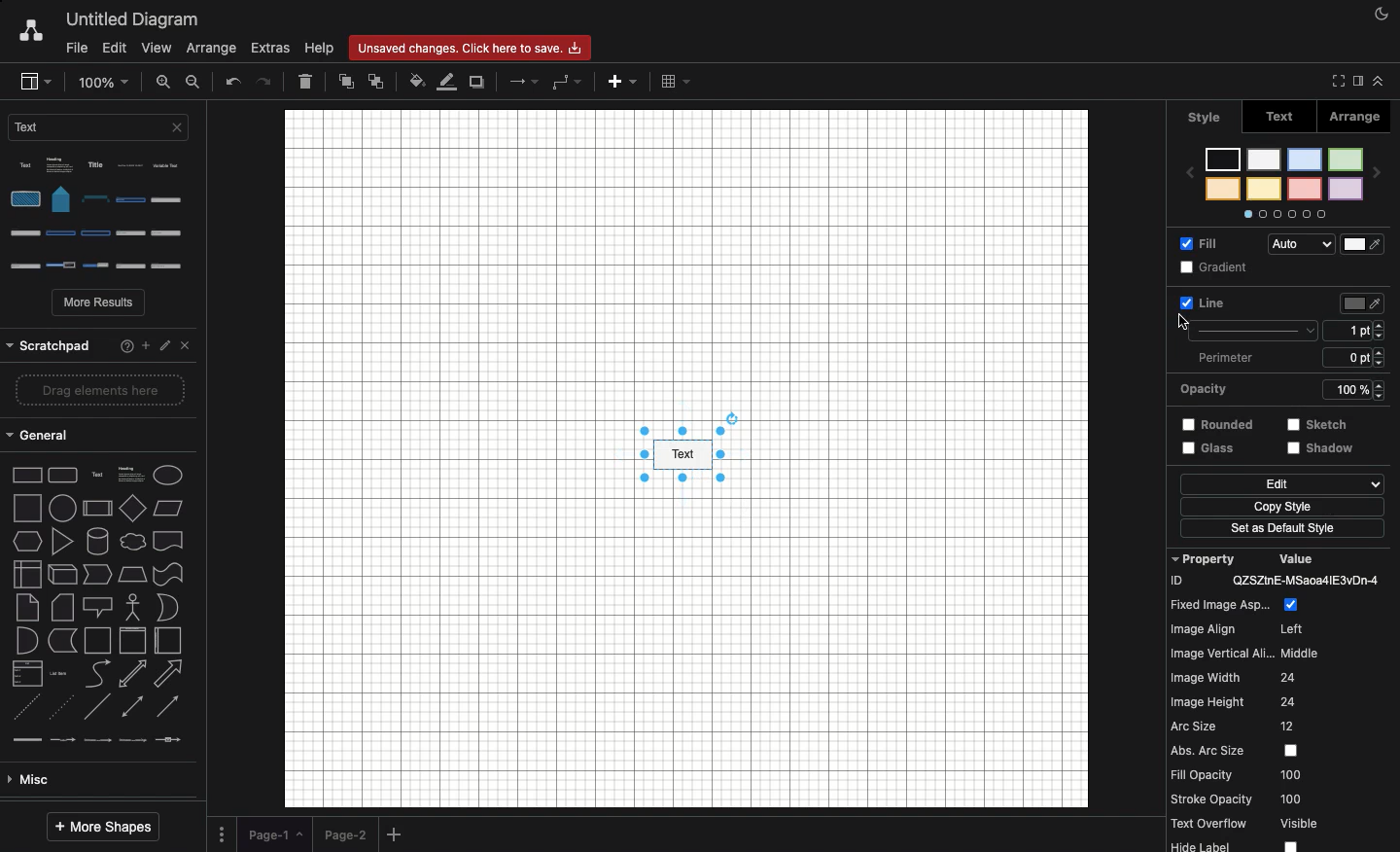 This screenshot has width=1400, height=852. What do you see at coordinates (232, 83) in the screenshot?
I see `Undo` at bounding box center [232, 83].